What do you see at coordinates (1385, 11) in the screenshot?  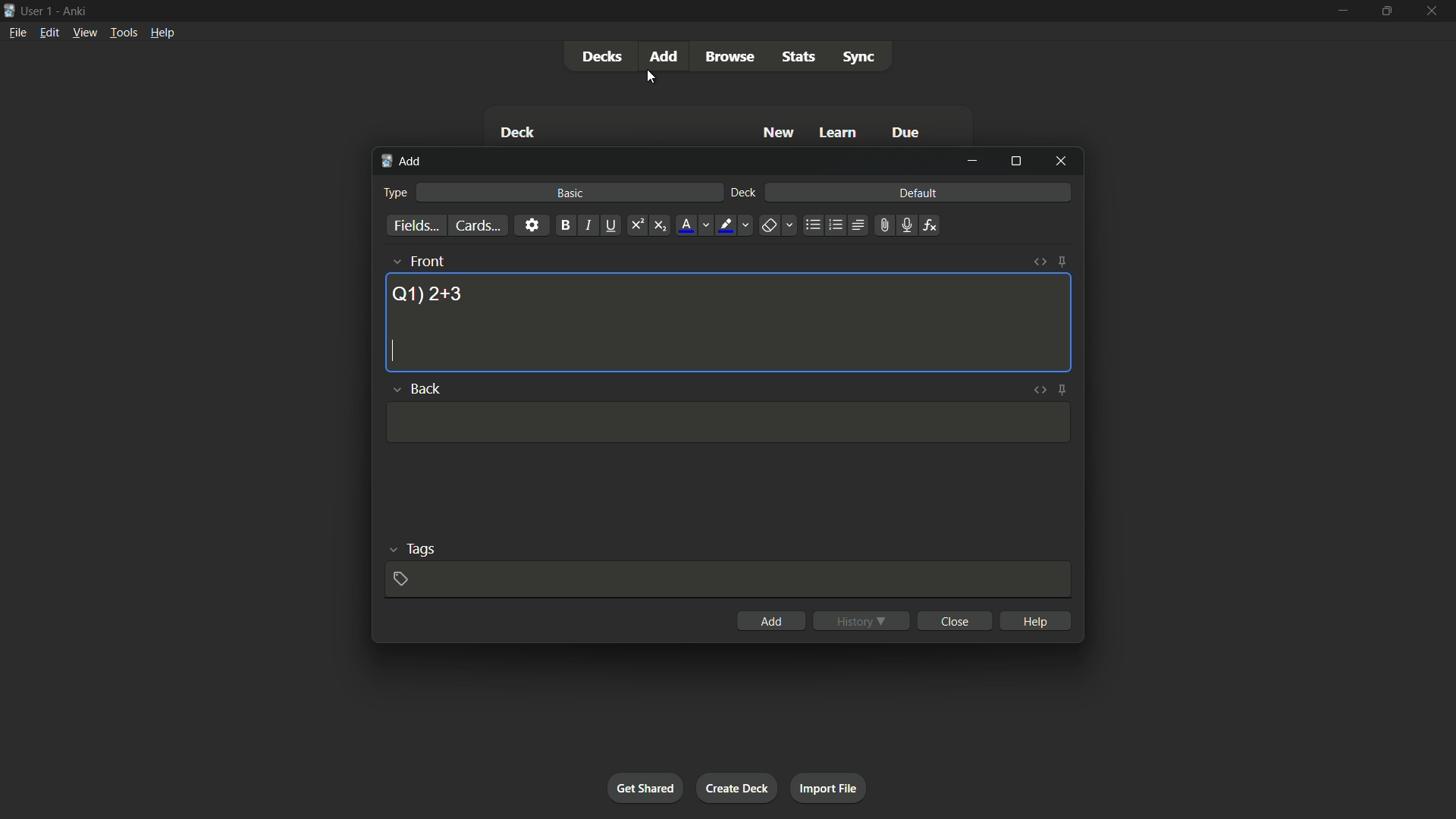 I see `maximize` at bounding box center [1385, 11].